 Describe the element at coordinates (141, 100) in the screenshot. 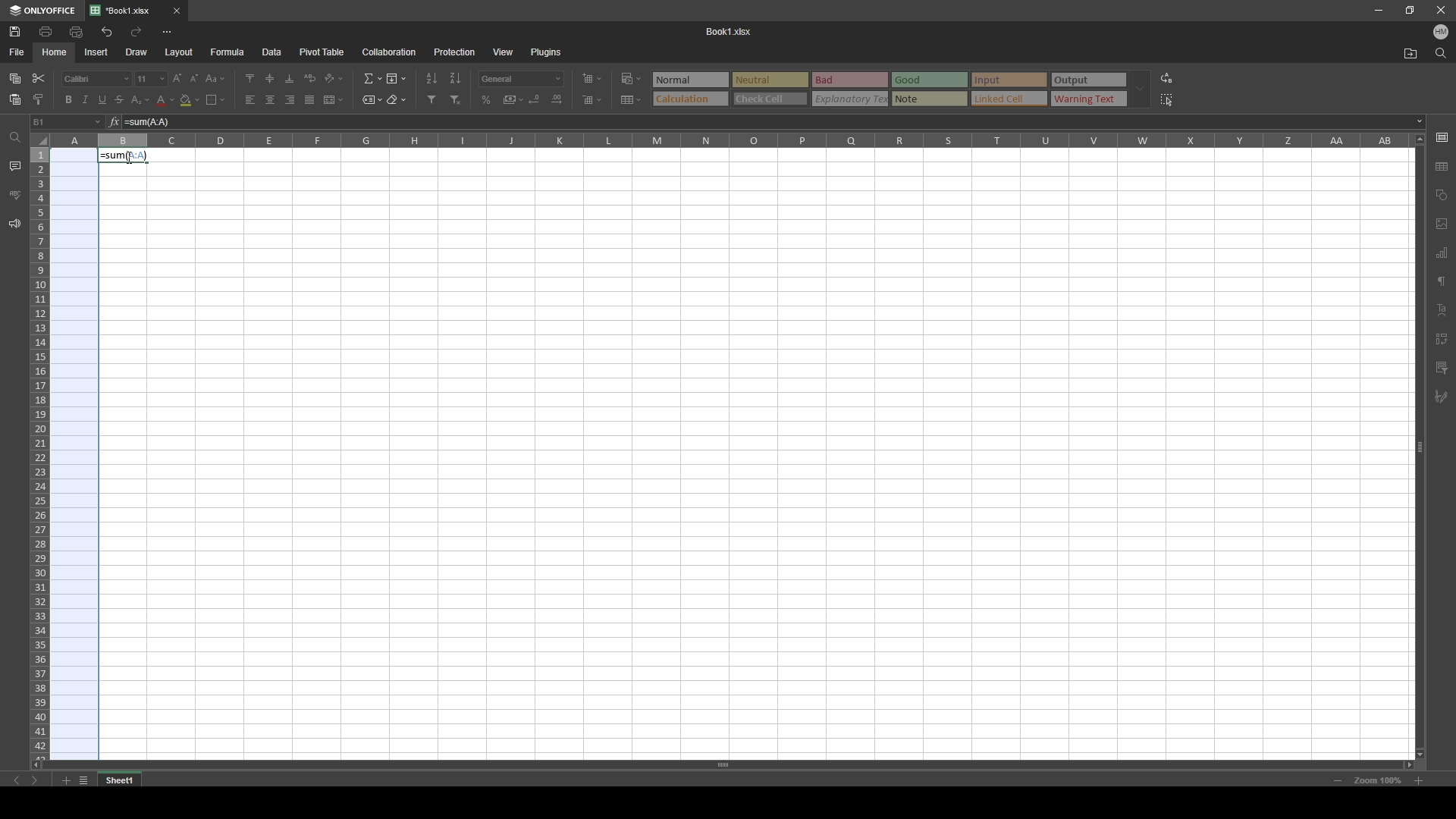

I see `subscript` at that location.